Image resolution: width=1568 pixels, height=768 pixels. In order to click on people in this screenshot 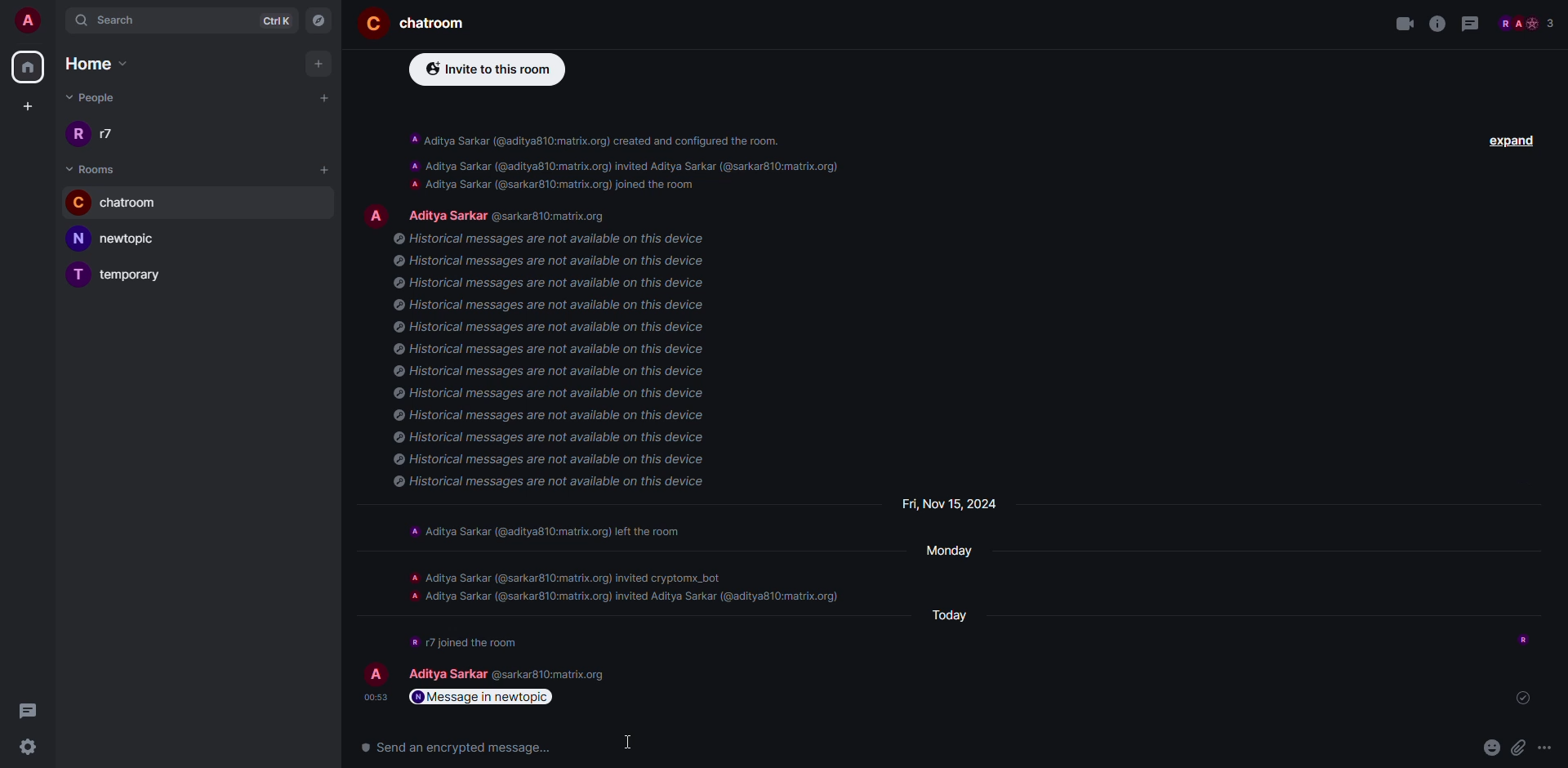, I will do `click(1527, 23)`.